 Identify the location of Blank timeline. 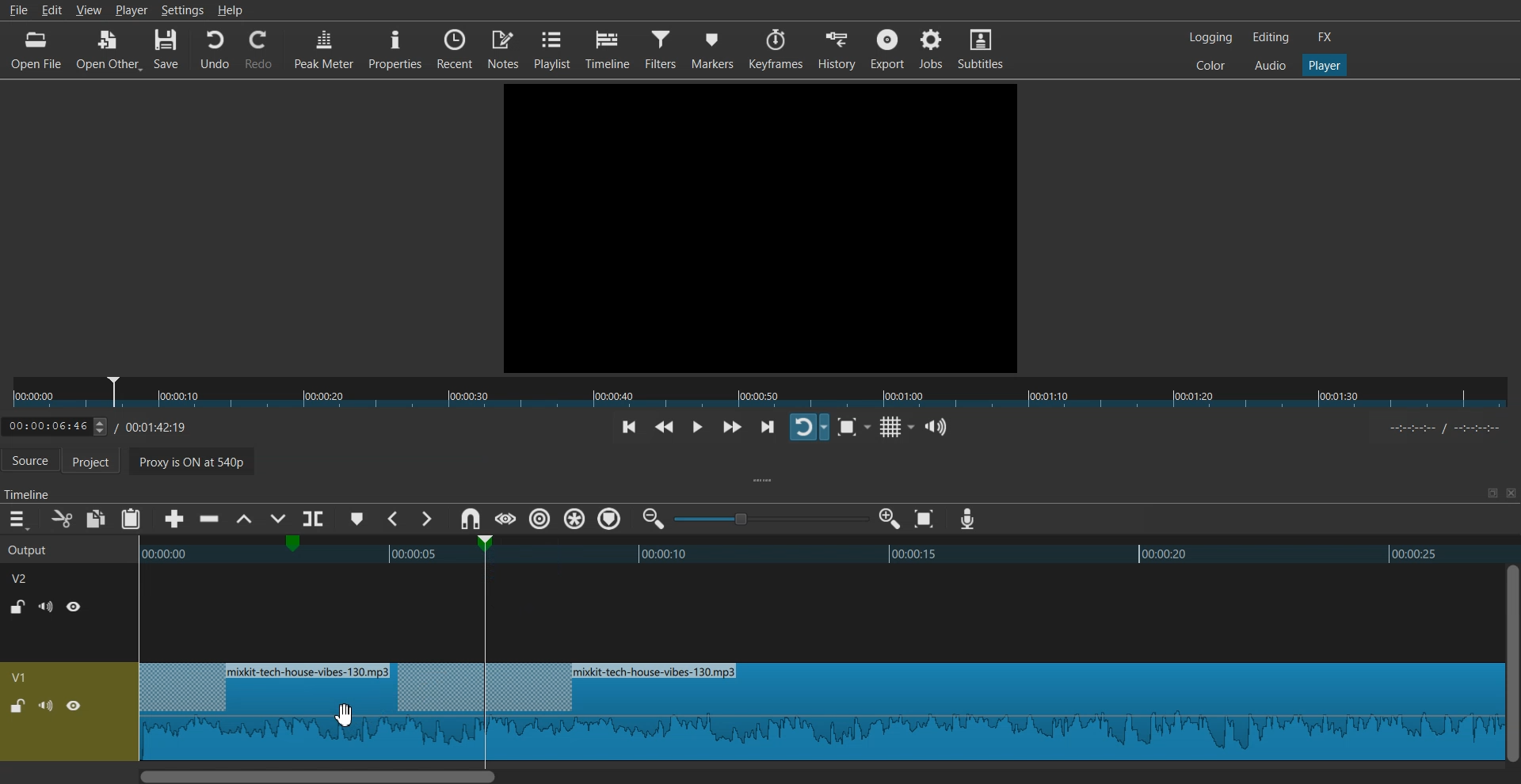
(818, 614).